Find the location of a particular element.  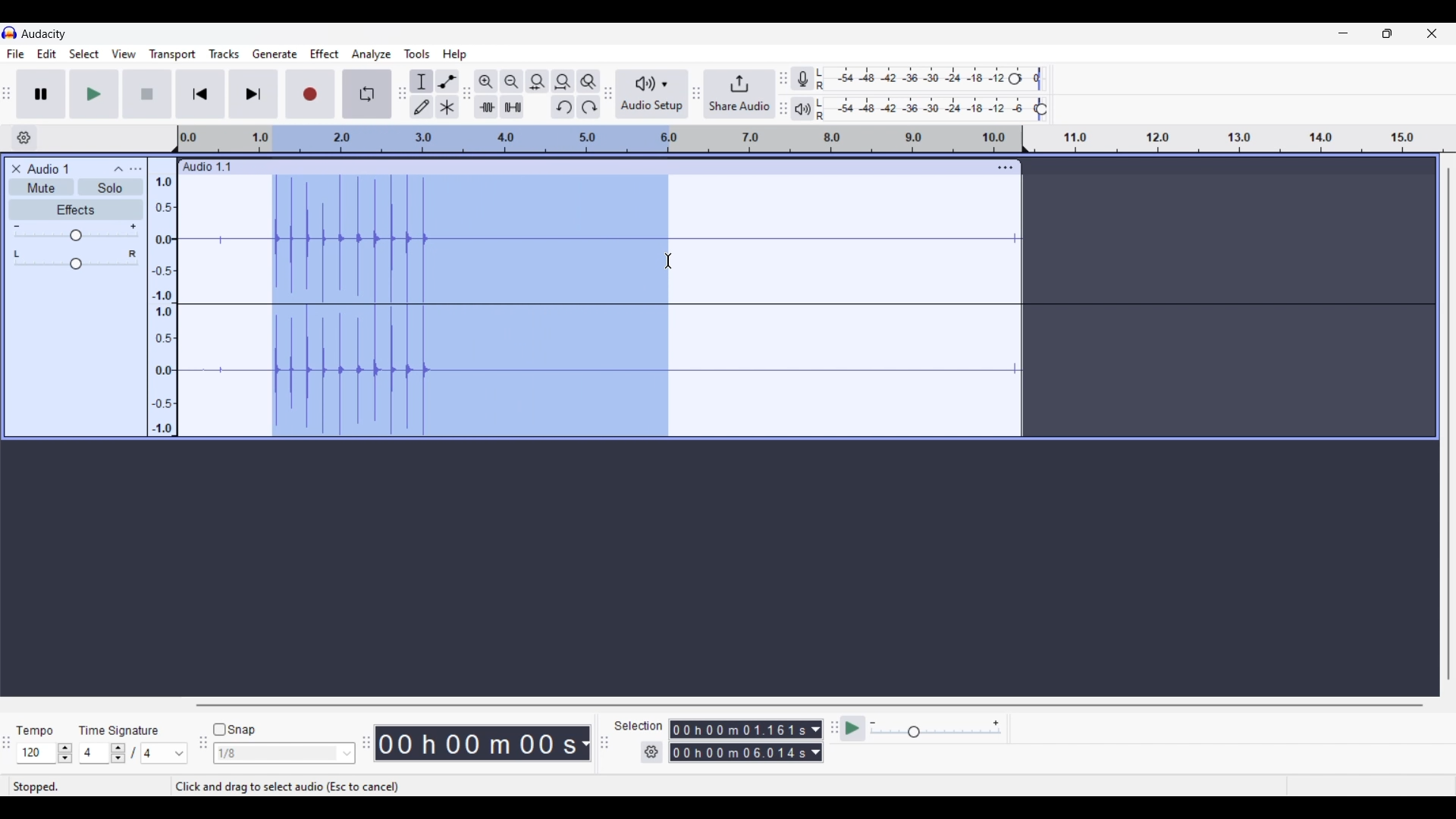

Close interface is located at coordinates (1432, 33).